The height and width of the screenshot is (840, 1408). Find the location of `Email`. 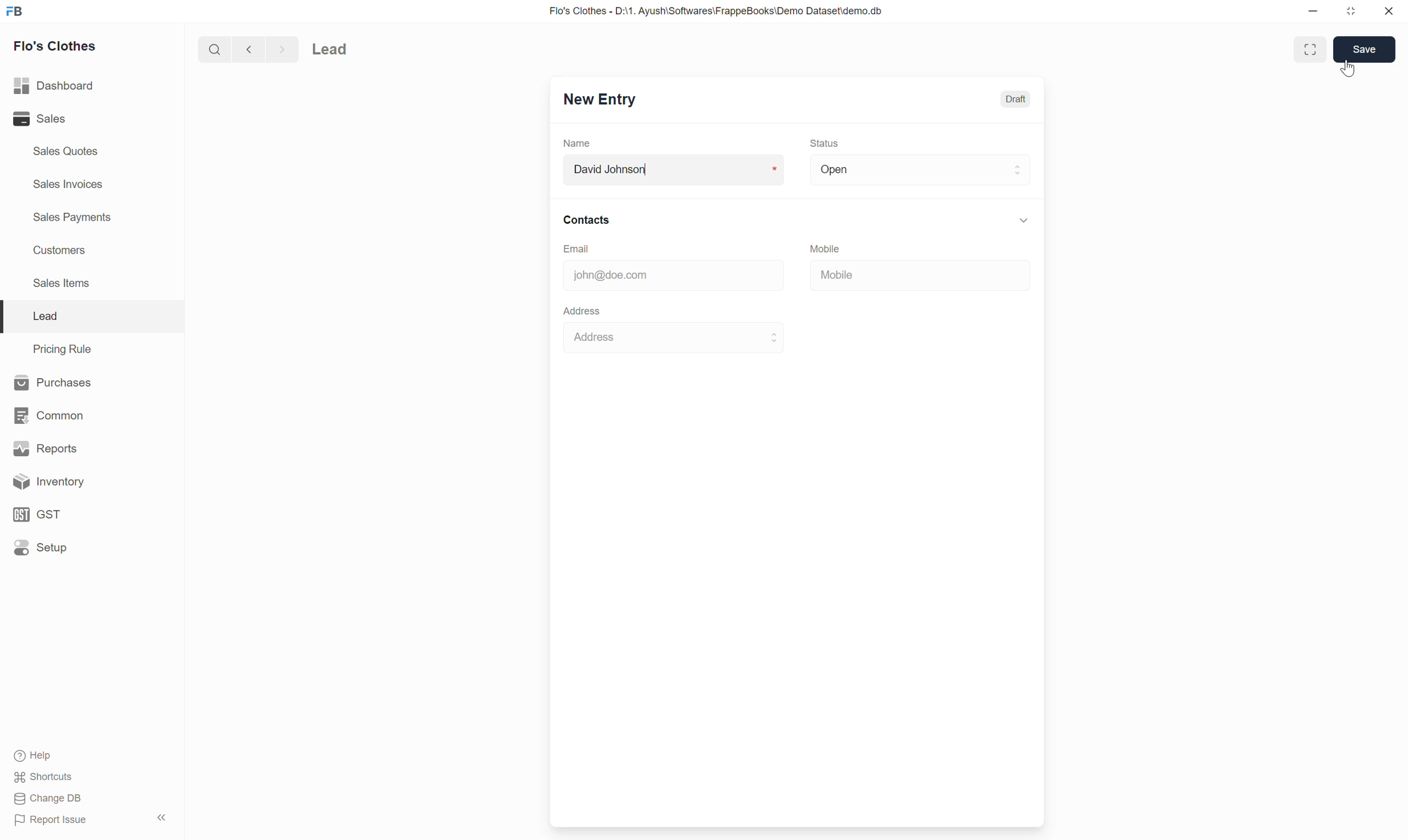

Email is located at coordinates (583, 249).